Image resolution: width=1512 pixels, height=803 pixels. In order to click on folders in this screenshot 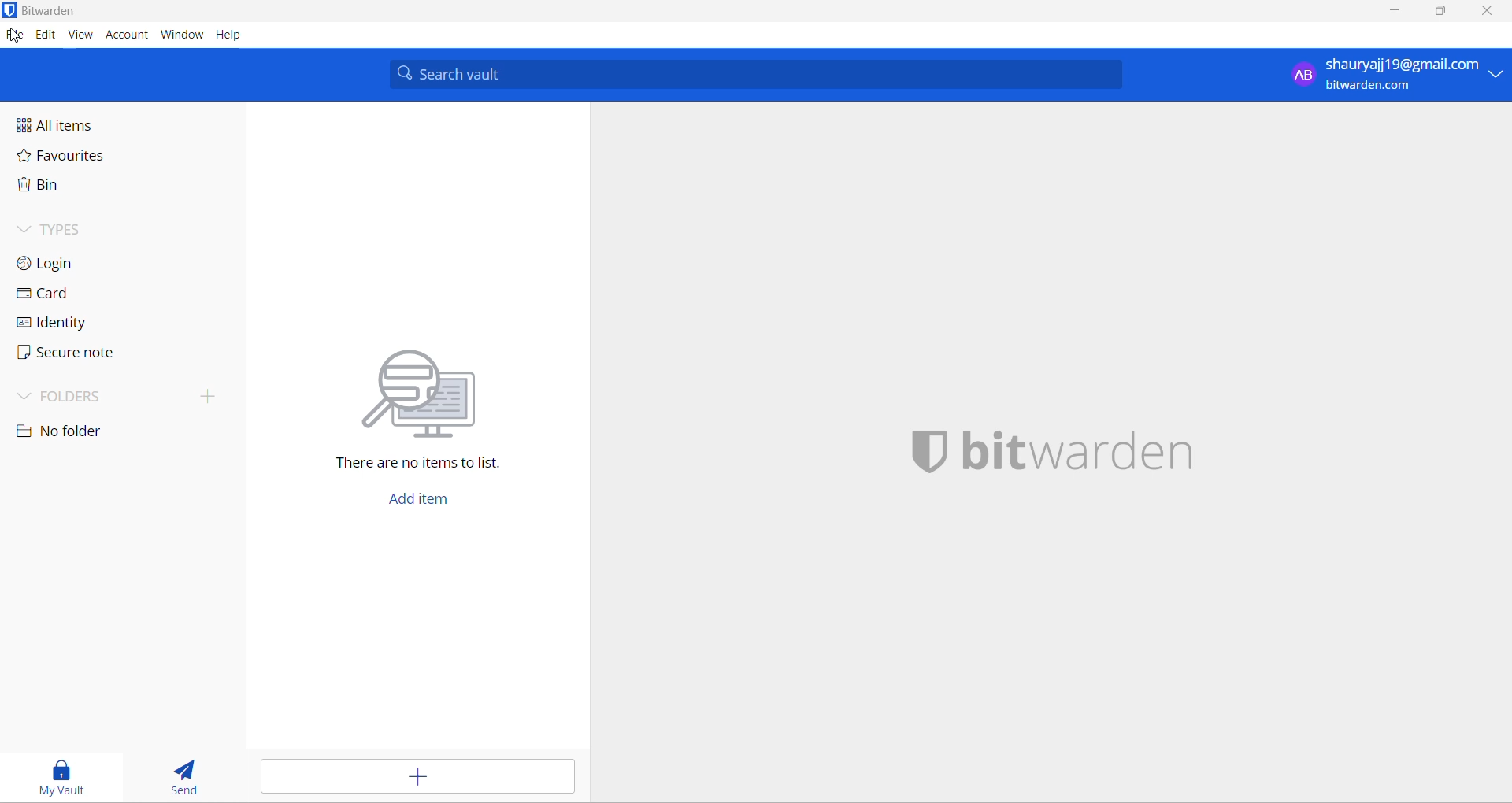, I will do `click(98, 397)`.